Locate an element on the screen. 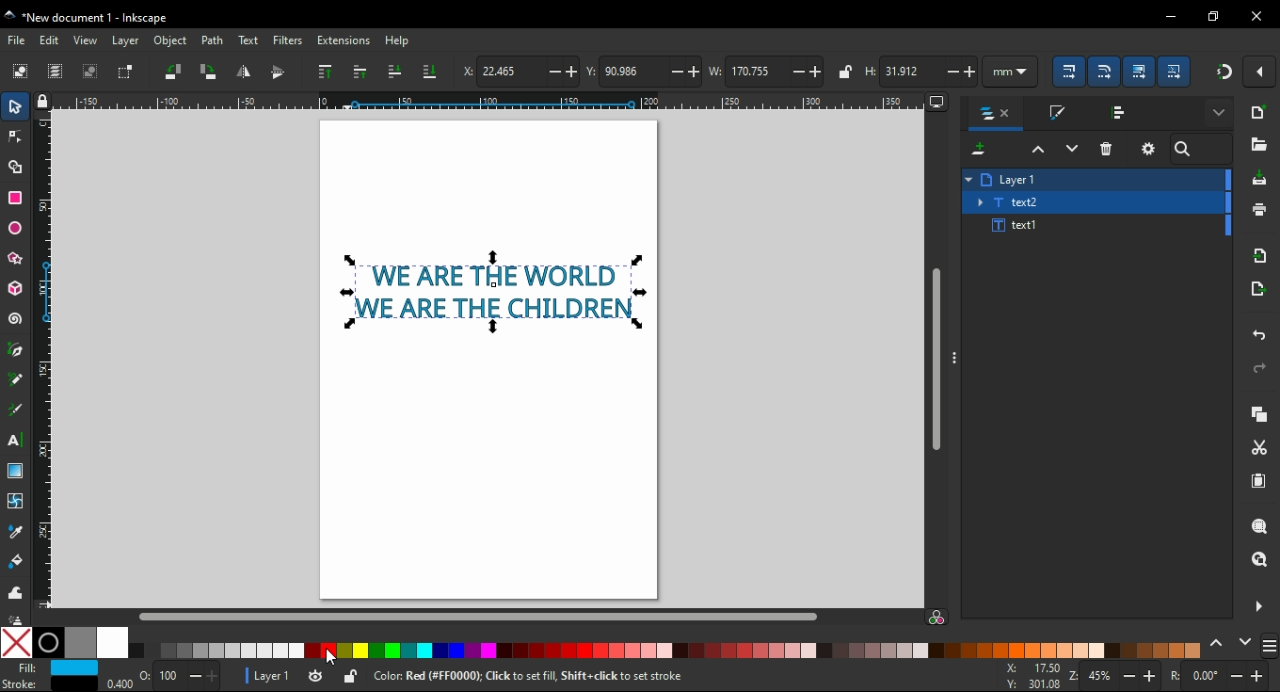 Image resolution: width=1280 pixels, height=692 pixels. star/polygon tool is located at coordinates (14, 258).